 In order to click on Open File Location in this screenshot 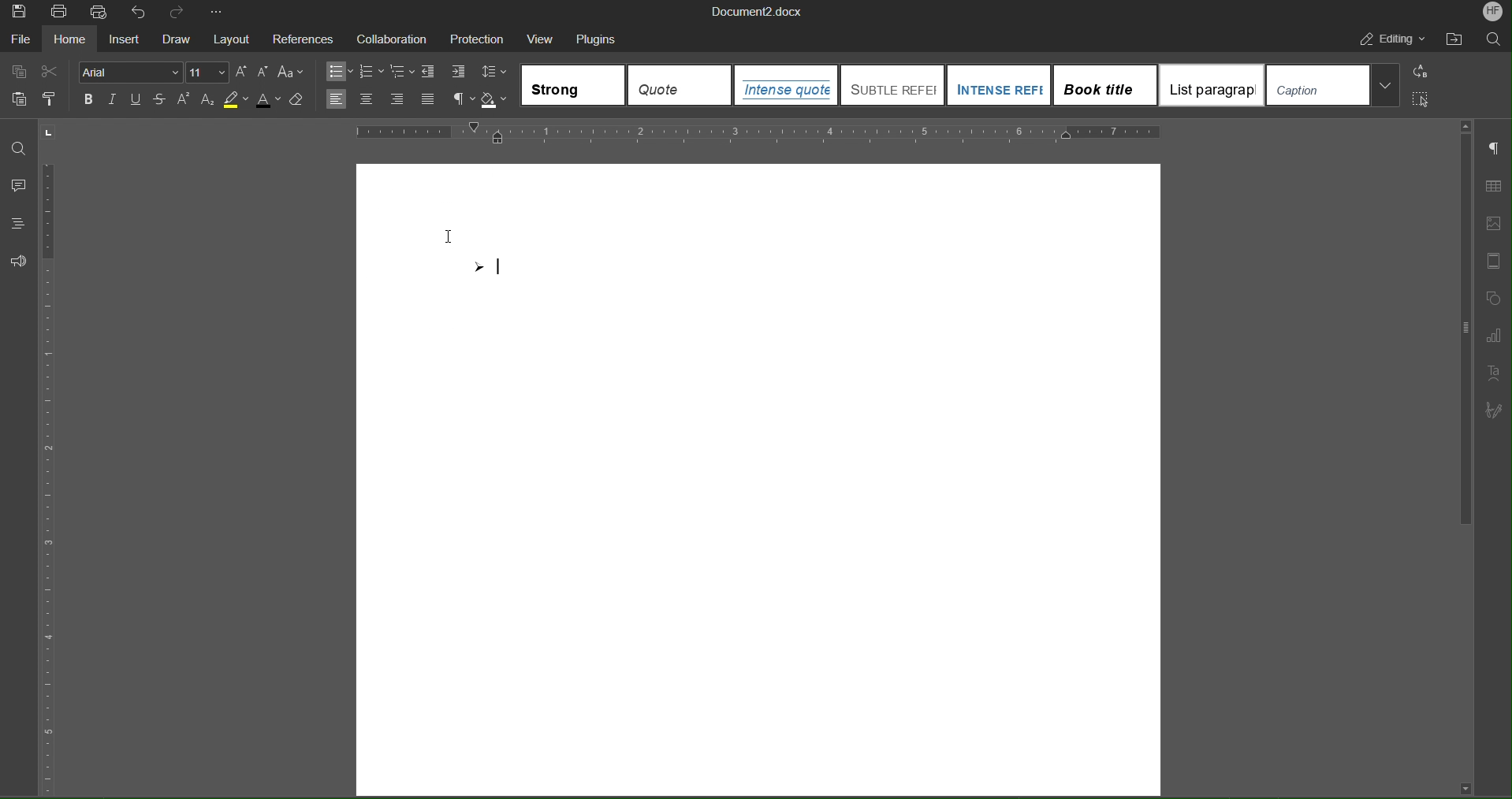, I will do `click(1458, 36)`.